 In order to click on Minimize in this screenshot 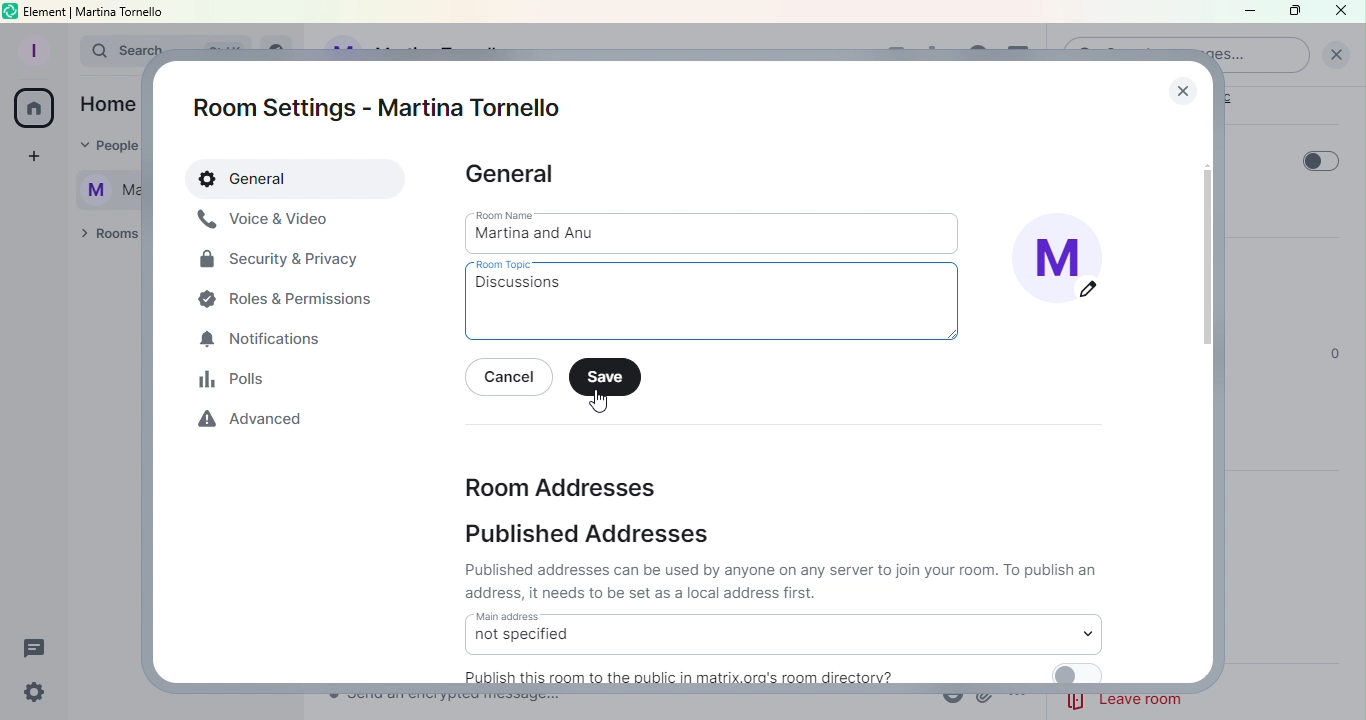, I will do `click(1247, 13)`.